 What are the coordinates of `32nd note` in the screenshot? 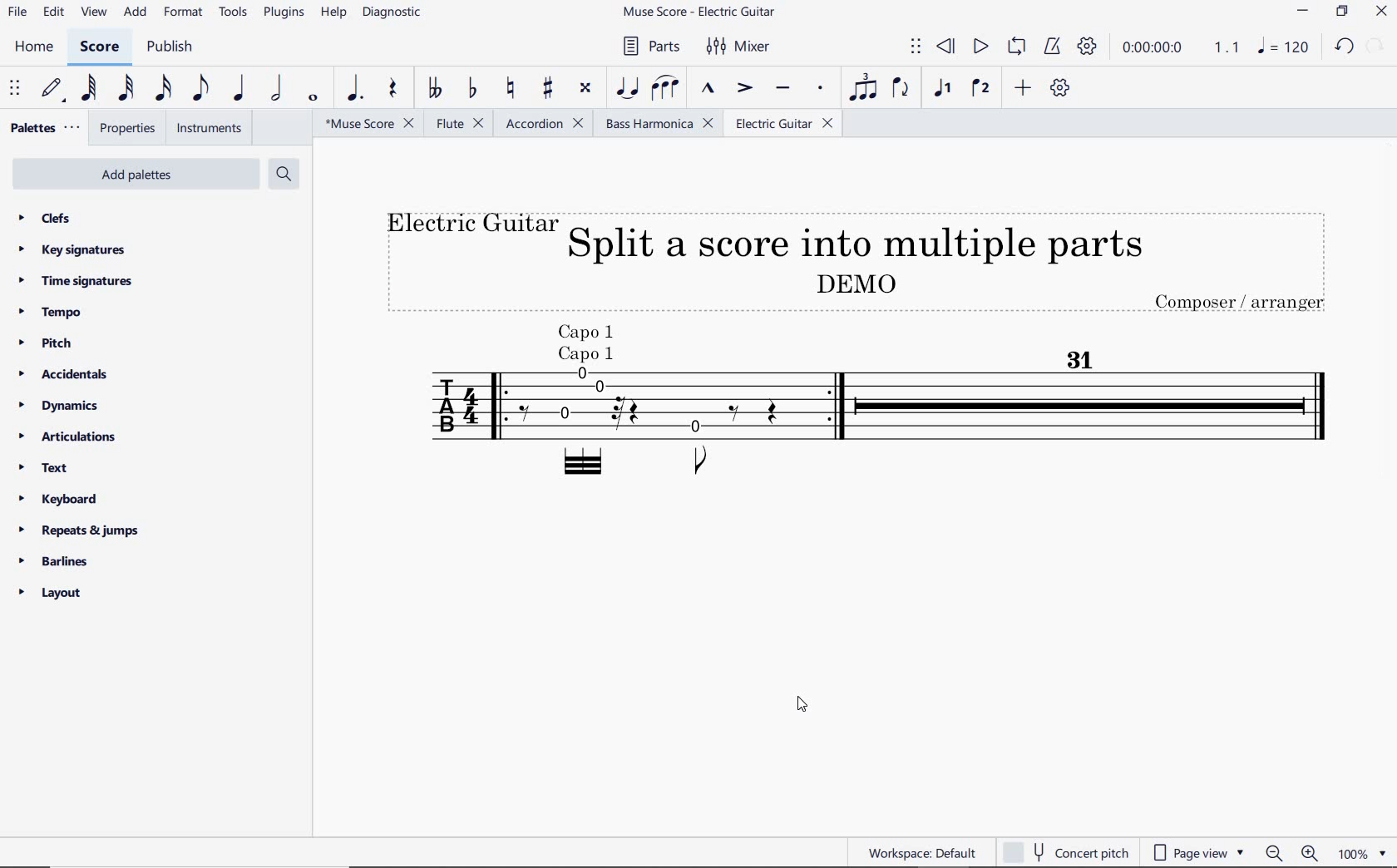 It's located at (123, 88).